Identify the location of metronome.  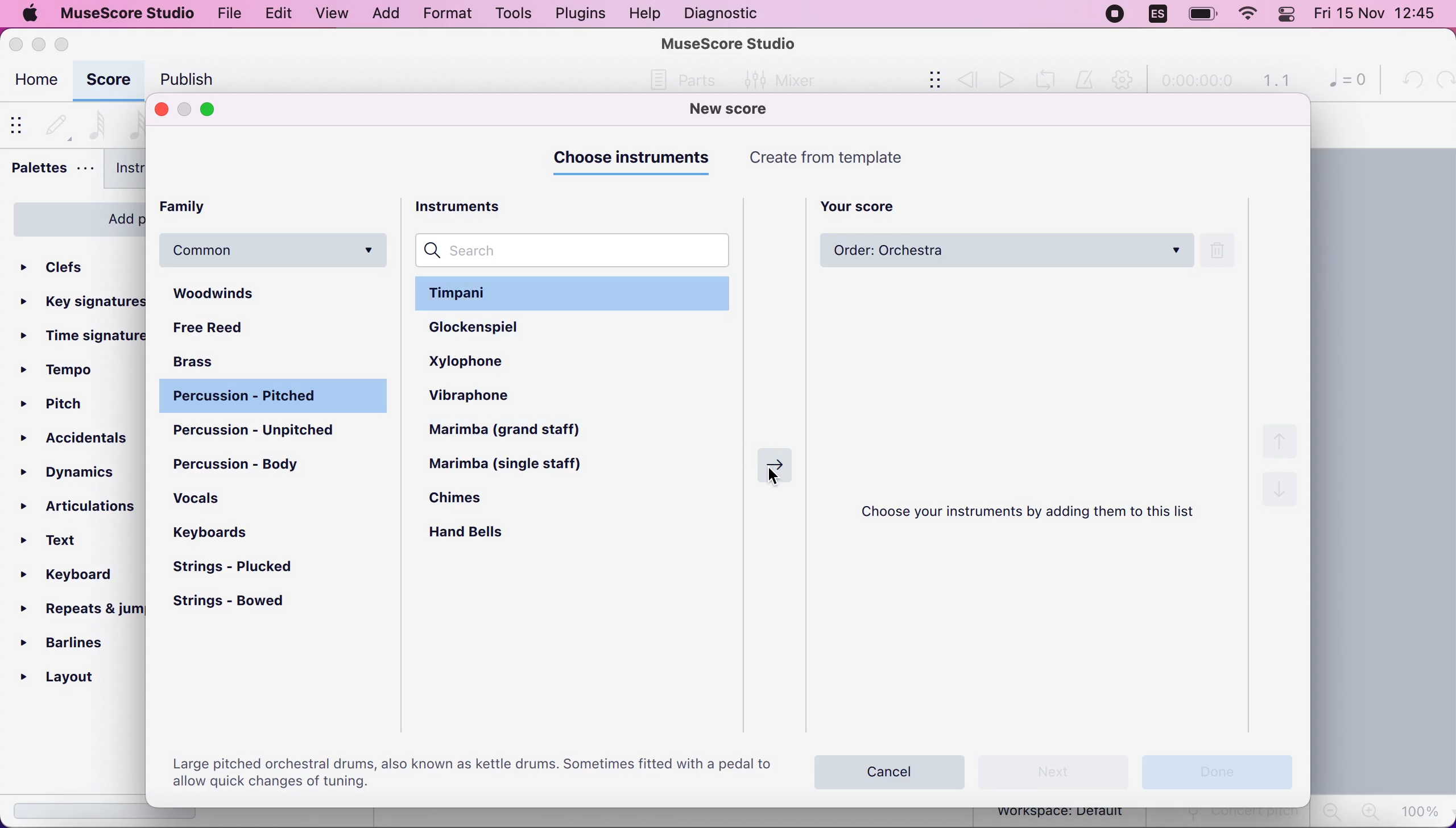
(1086, 80).